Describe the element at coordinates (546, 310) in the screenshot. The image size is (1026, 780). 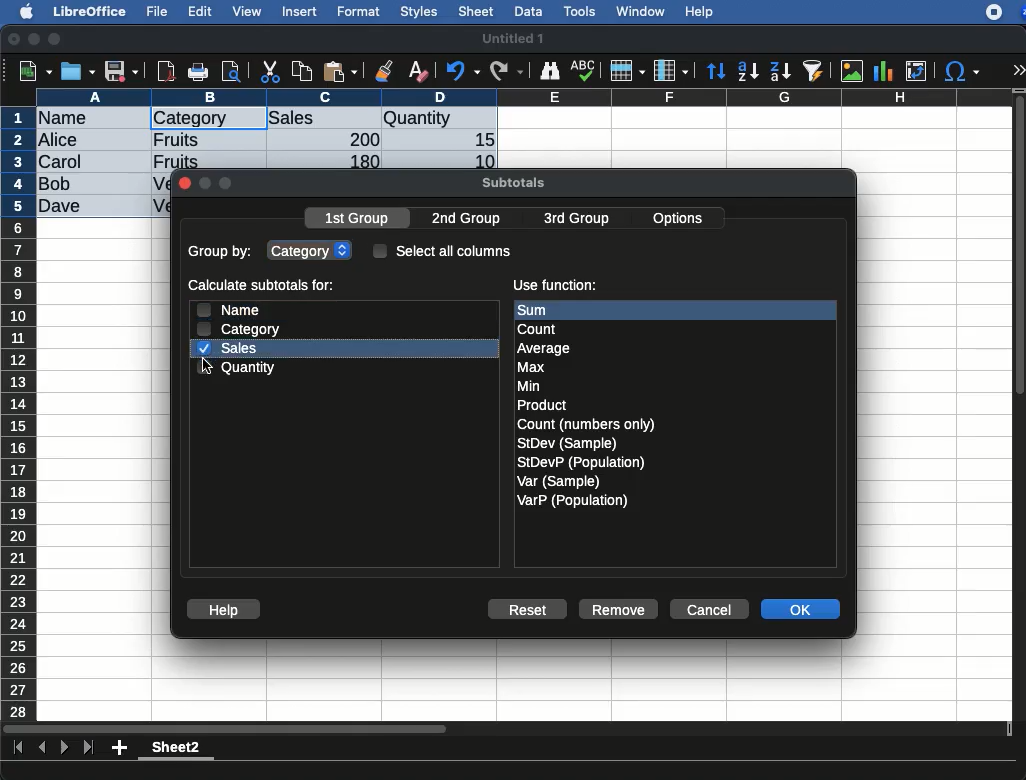
I see `Sum` at that location.